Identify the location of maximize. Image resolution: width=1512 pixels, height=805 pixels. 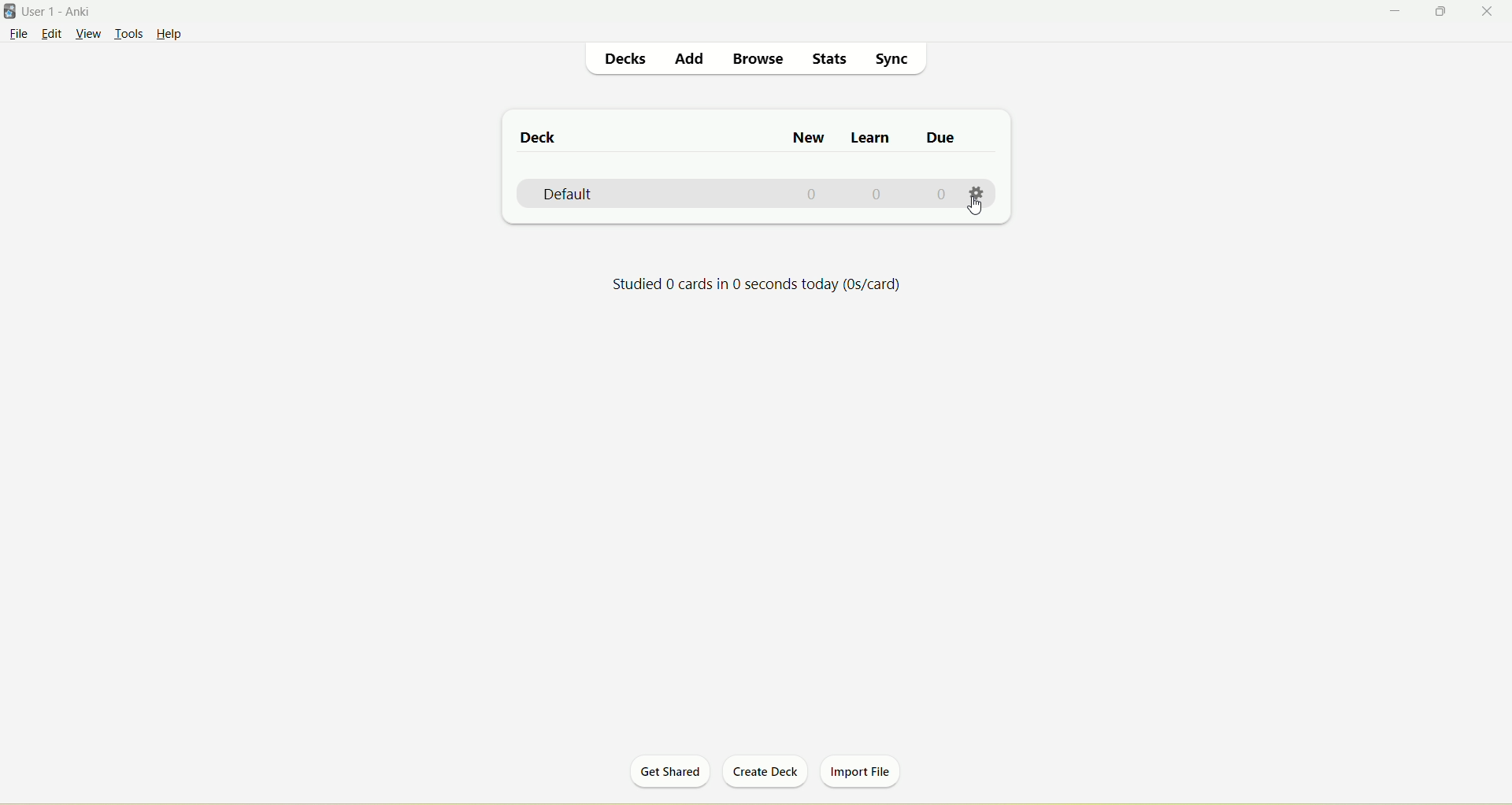
(1447, 12).